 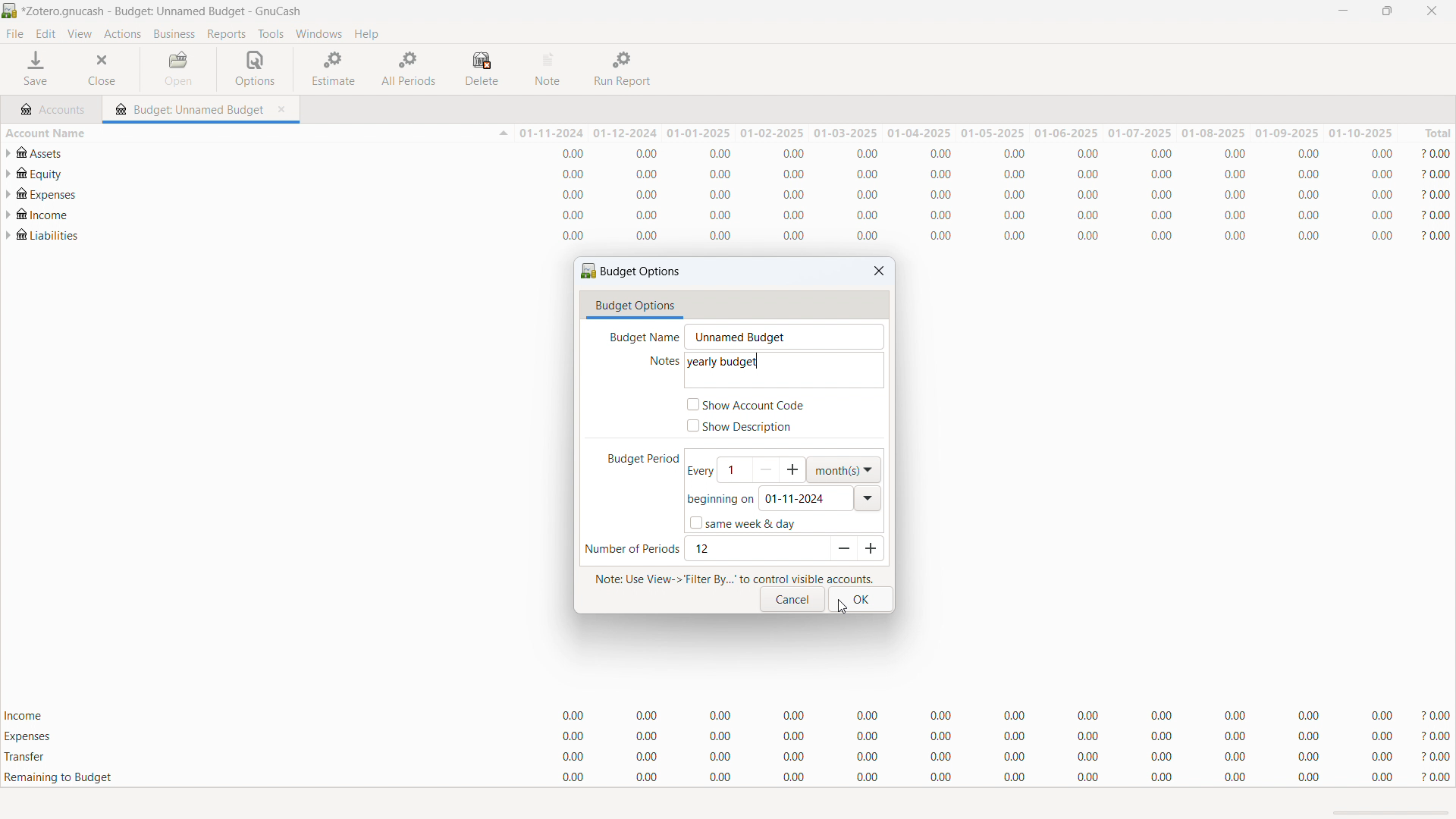 What do you see at coordinates (1140, 133) in the screenshot?
I see `01-07-2025` at bounding box center [1140, 133].